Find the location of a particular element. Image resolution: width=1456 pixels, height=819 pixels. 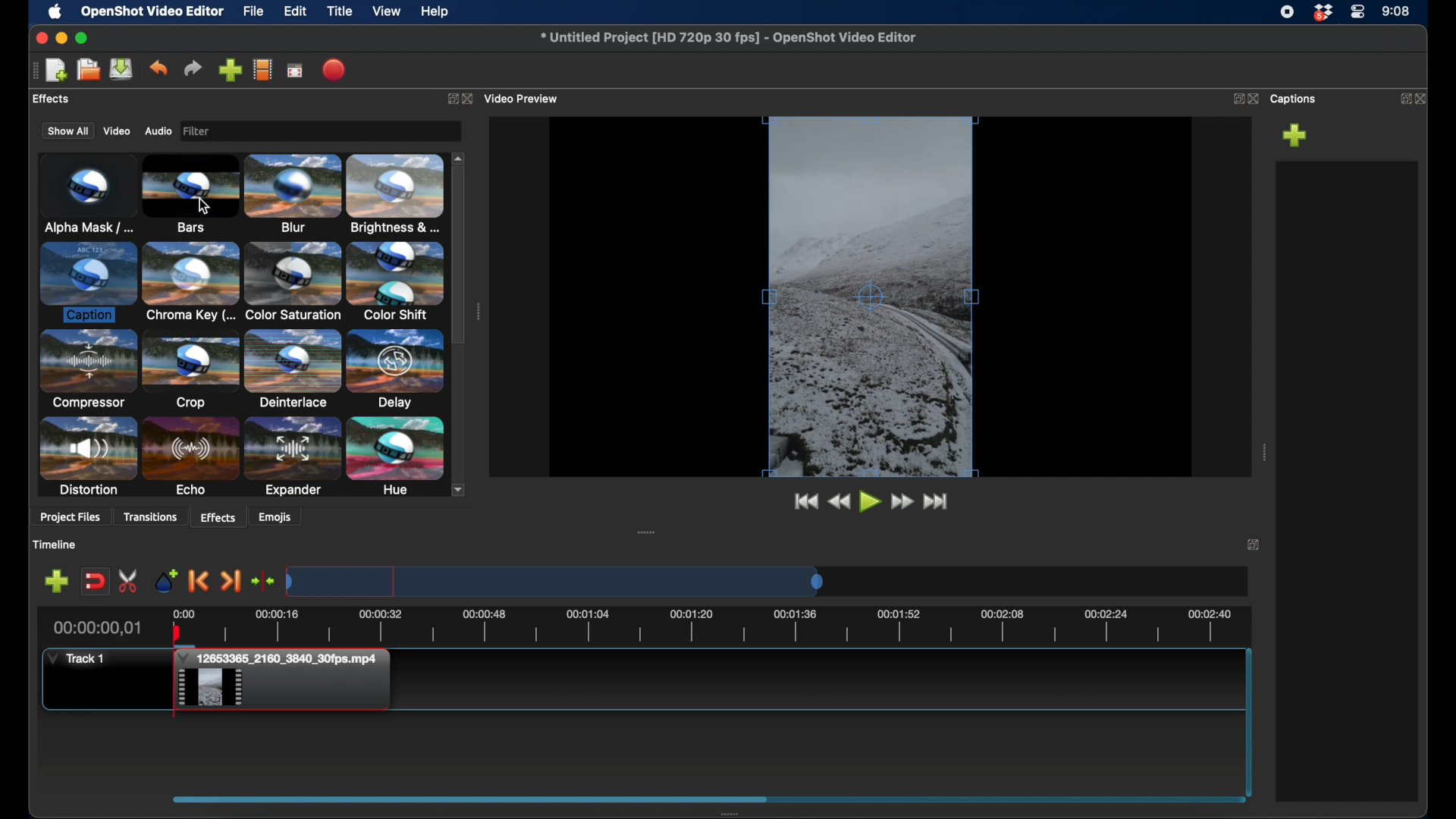

drag handle is located at coordinates (30, 71).